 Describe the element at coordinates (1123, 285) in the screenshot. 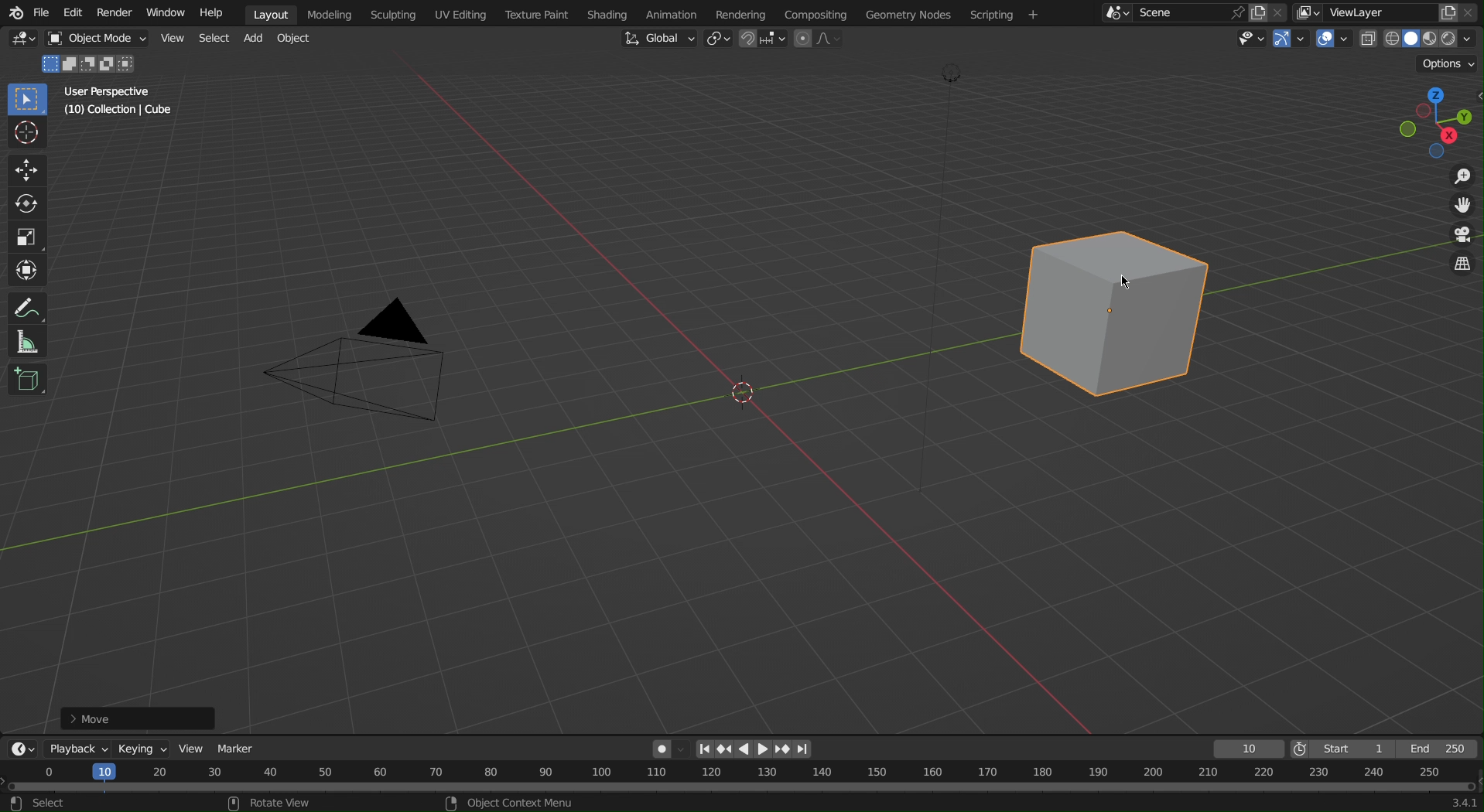

I see `Cursor` at that location.